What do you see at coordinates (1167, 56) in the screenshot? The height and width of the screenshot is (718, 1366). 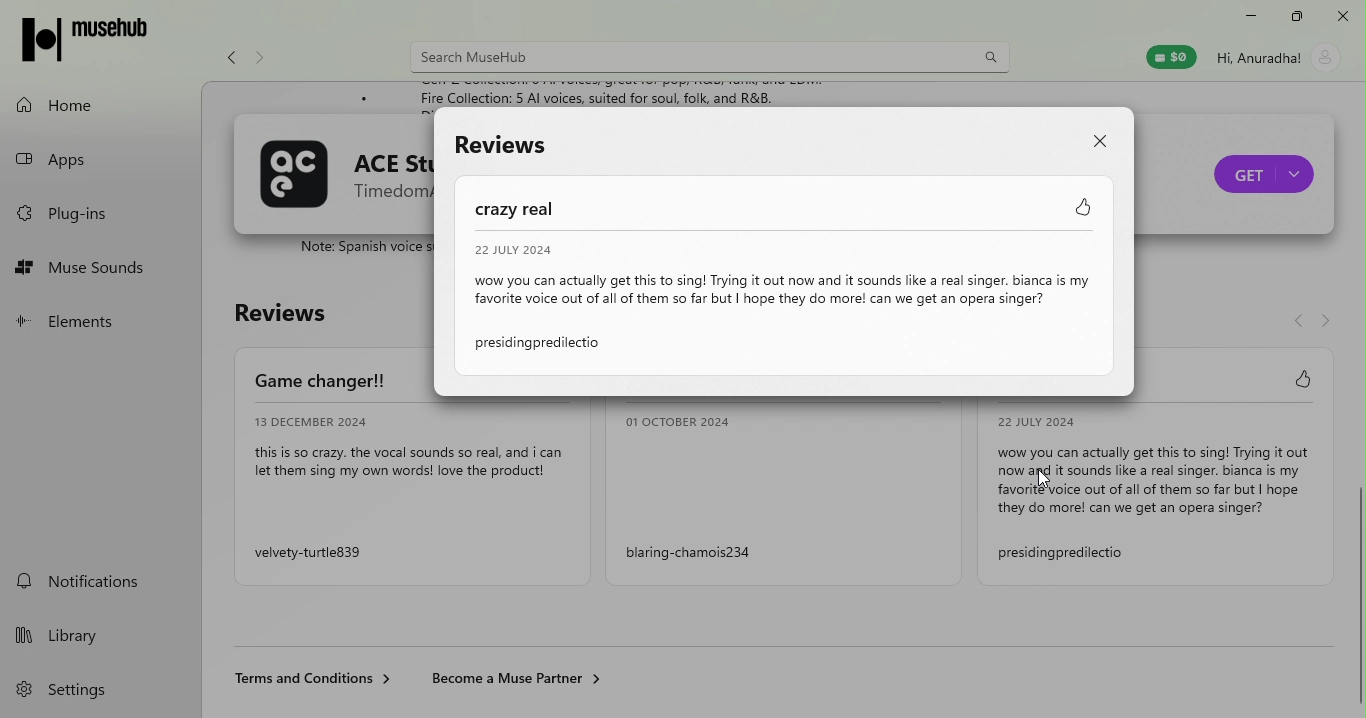 I see `muse wallet` at bounding box center [1167, 56].